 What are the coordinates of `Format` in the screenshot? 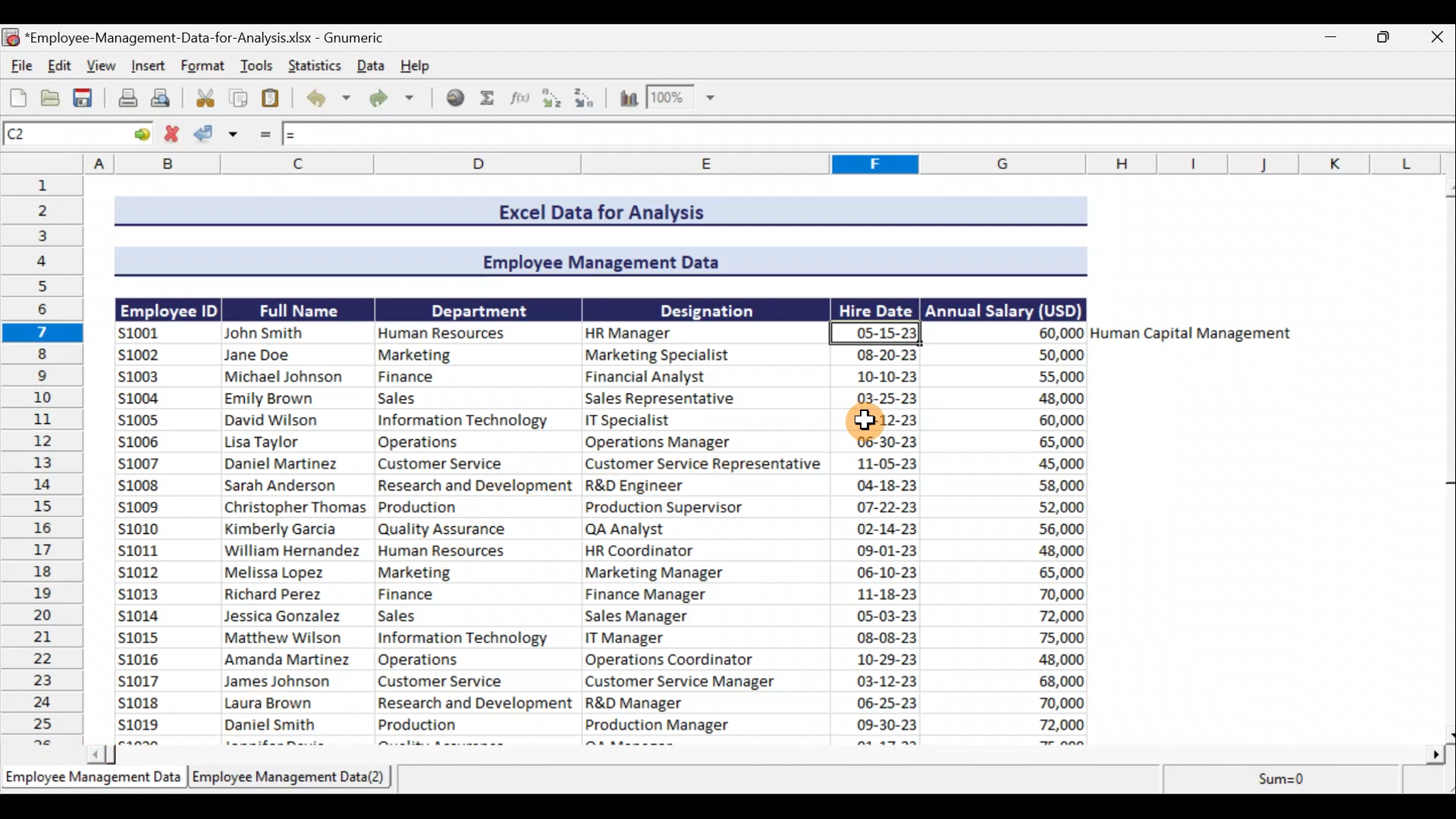 It's located at (203, 68).